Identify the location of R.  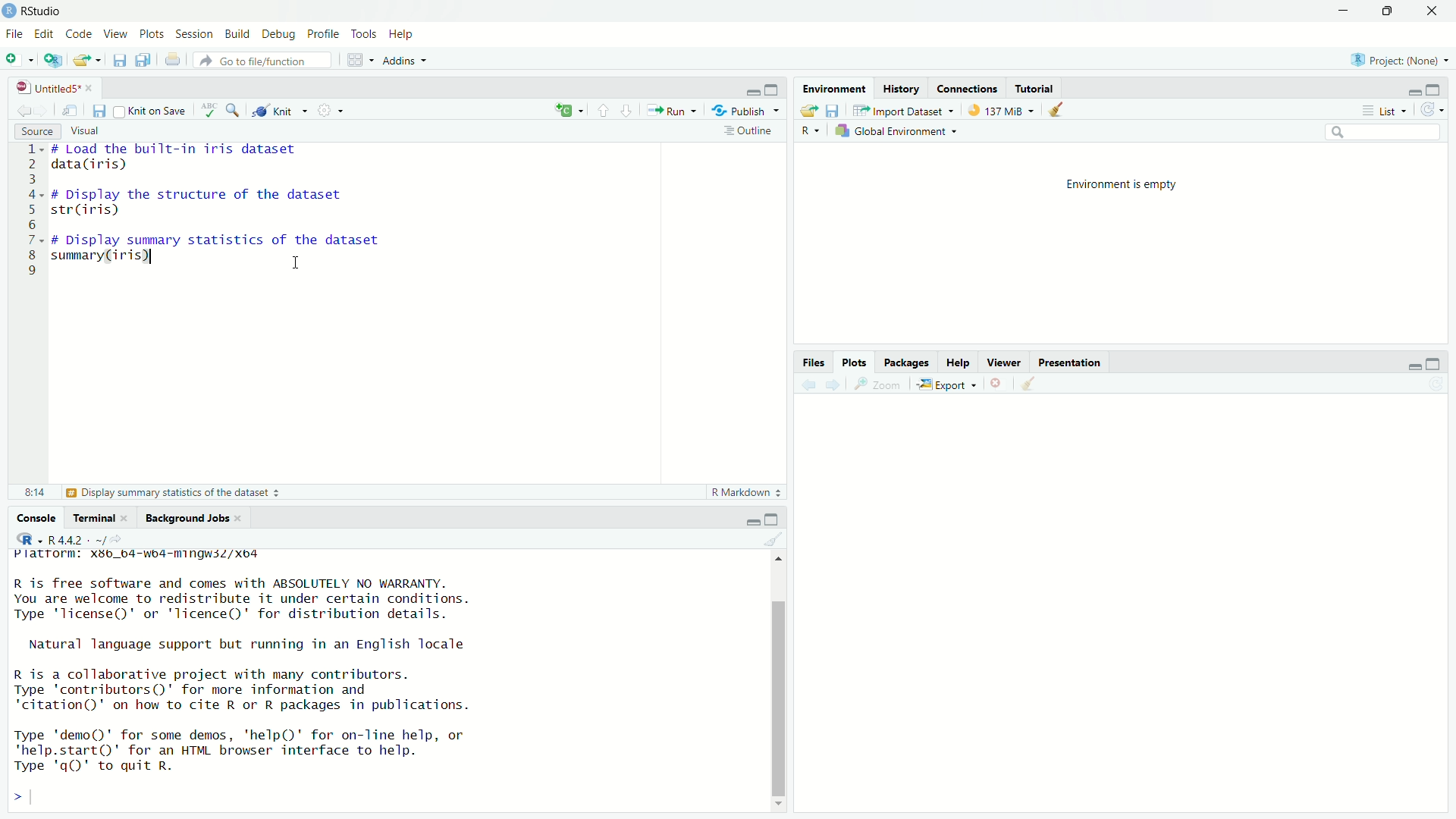
(811, 130).